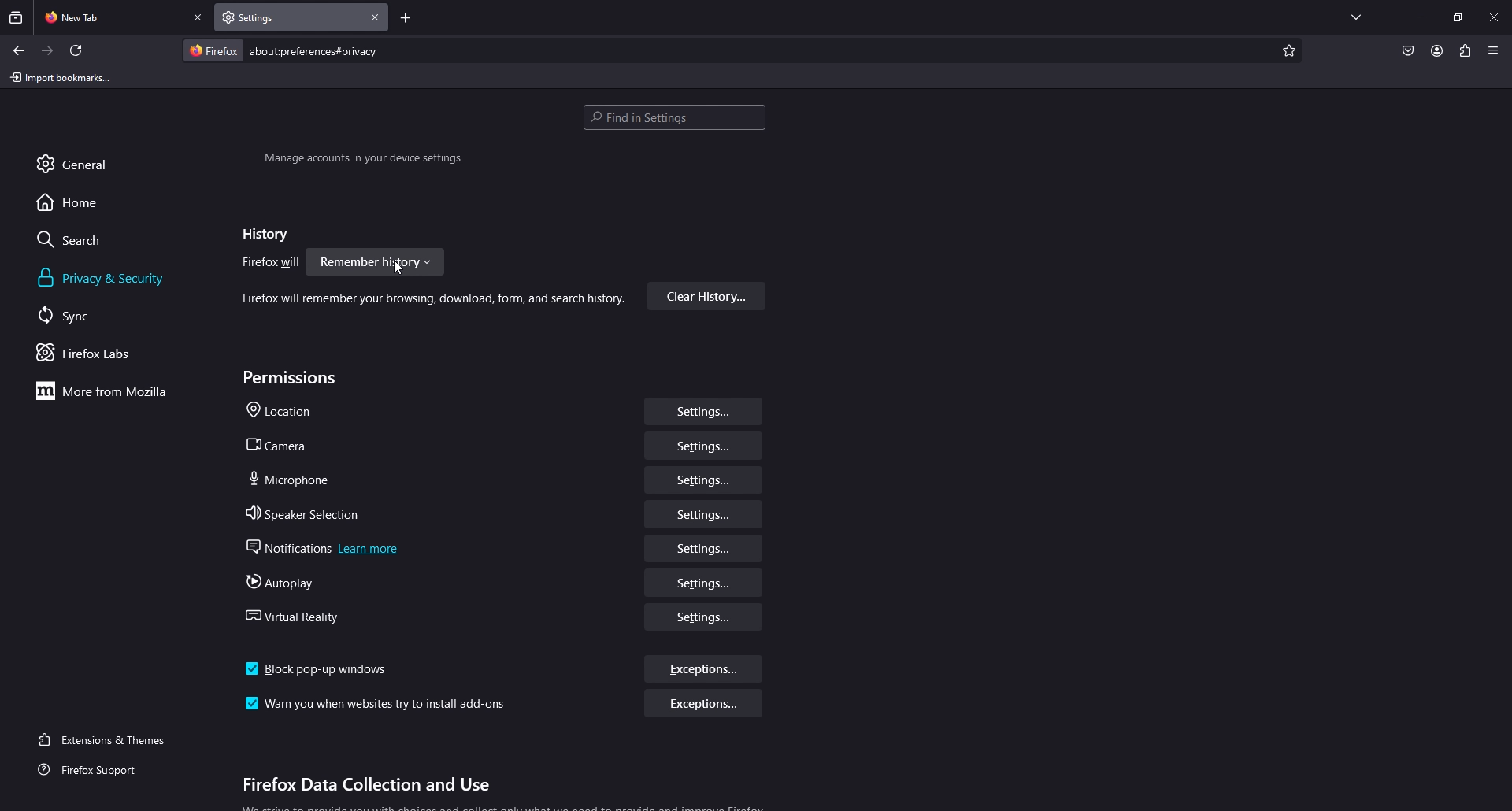 This screenshot has height=811, width=1512. I want to click on save to pocket, so click(1407, 52).